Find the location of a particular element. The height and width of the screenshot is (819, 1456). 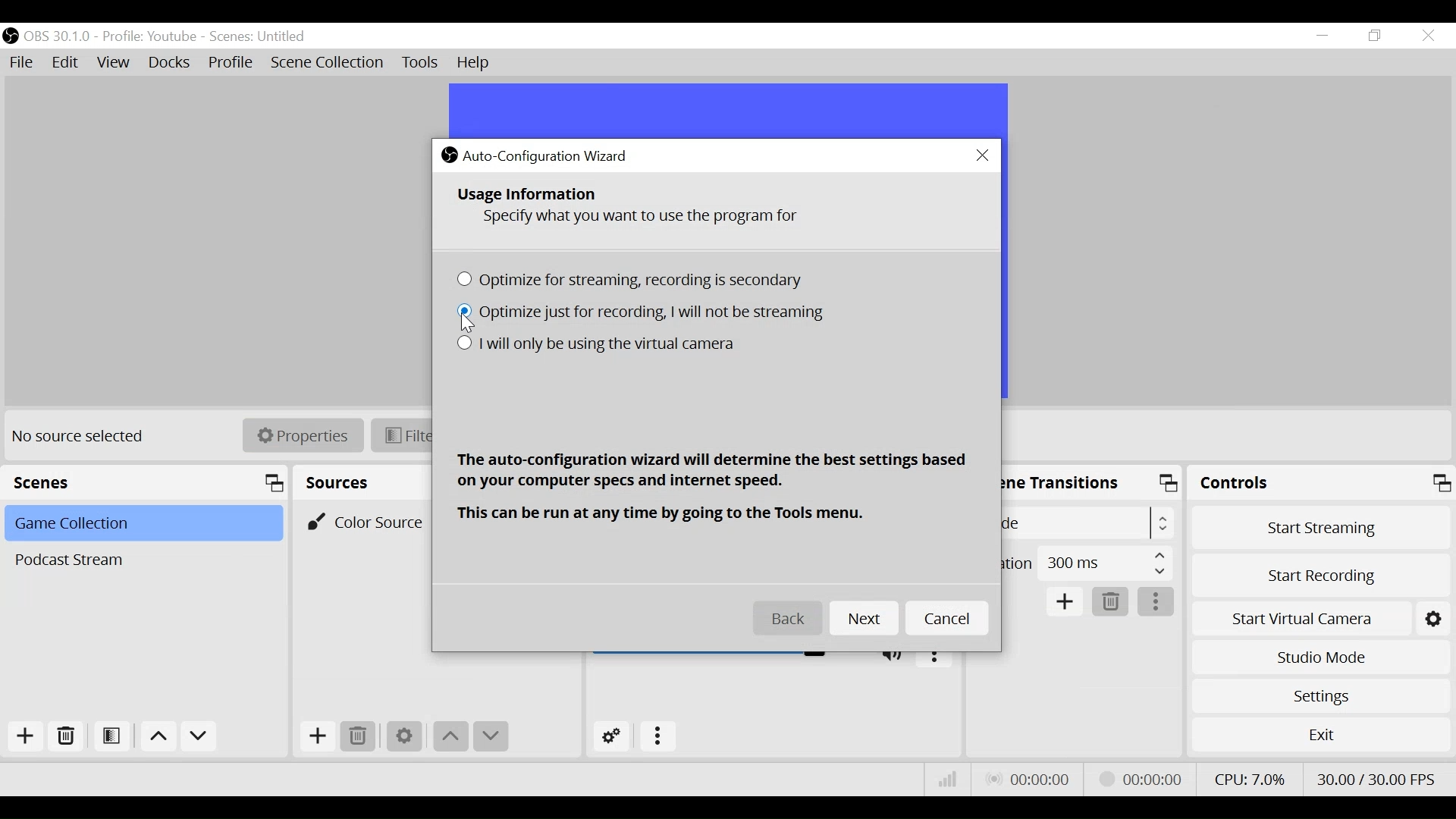

(un)check I will only be using the virtual camera is located at coordinates (595, 346).